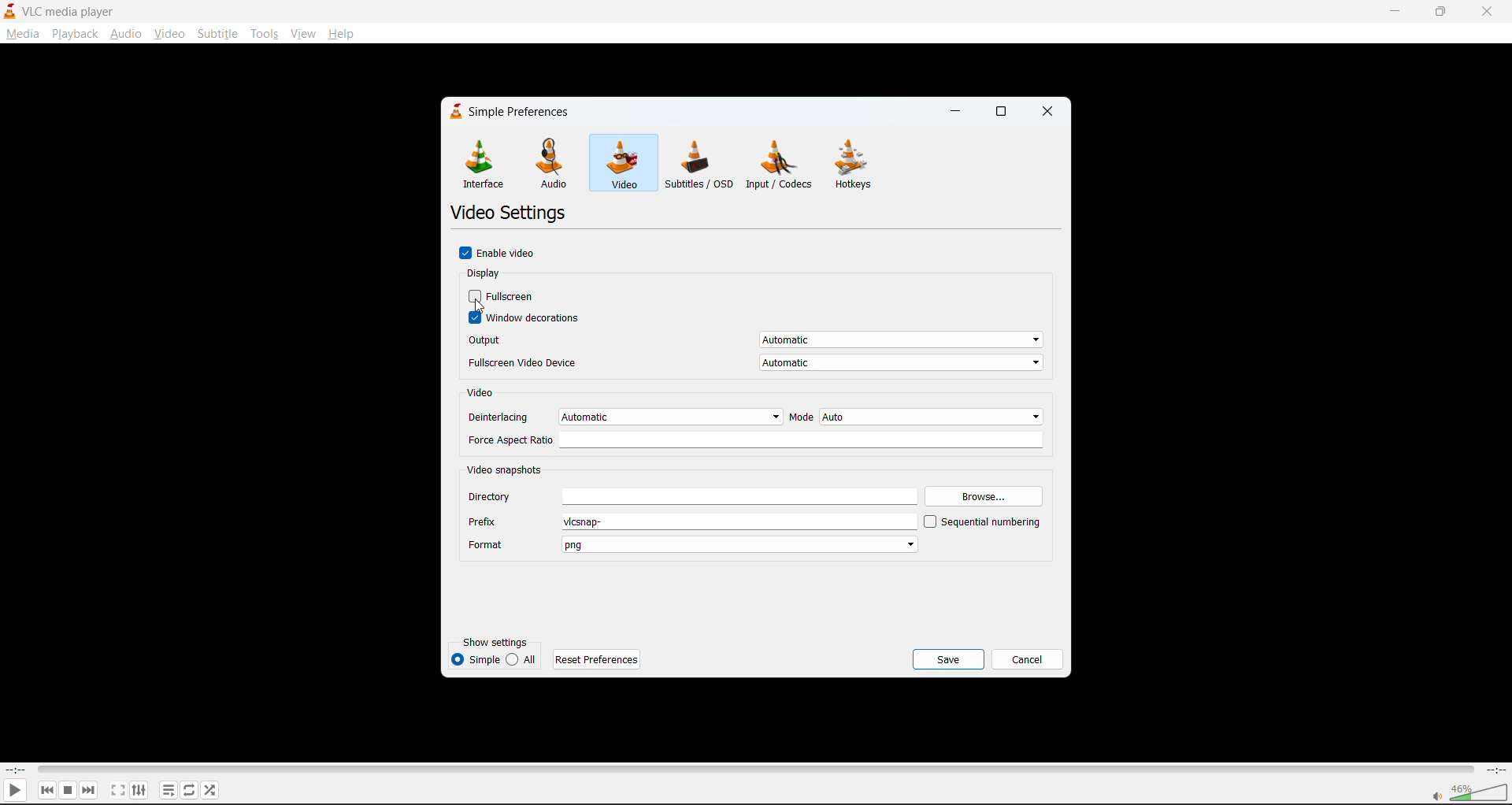  What do you see at coordinates (950, 659) in the screenshot?
I see `save` at bounding box center [950, 659].